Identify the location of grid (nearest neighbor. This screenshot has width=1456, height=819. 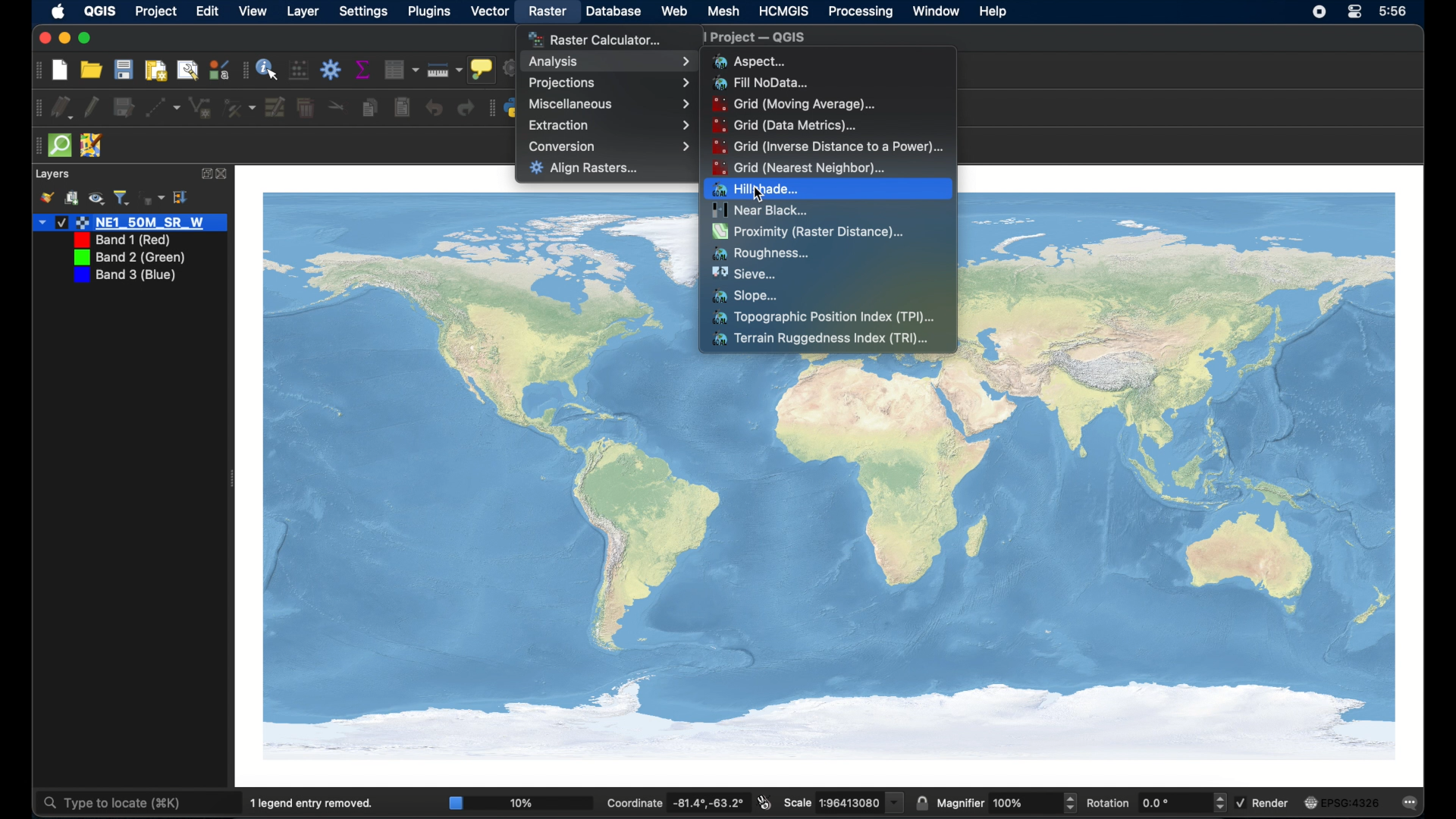
(800, 168).